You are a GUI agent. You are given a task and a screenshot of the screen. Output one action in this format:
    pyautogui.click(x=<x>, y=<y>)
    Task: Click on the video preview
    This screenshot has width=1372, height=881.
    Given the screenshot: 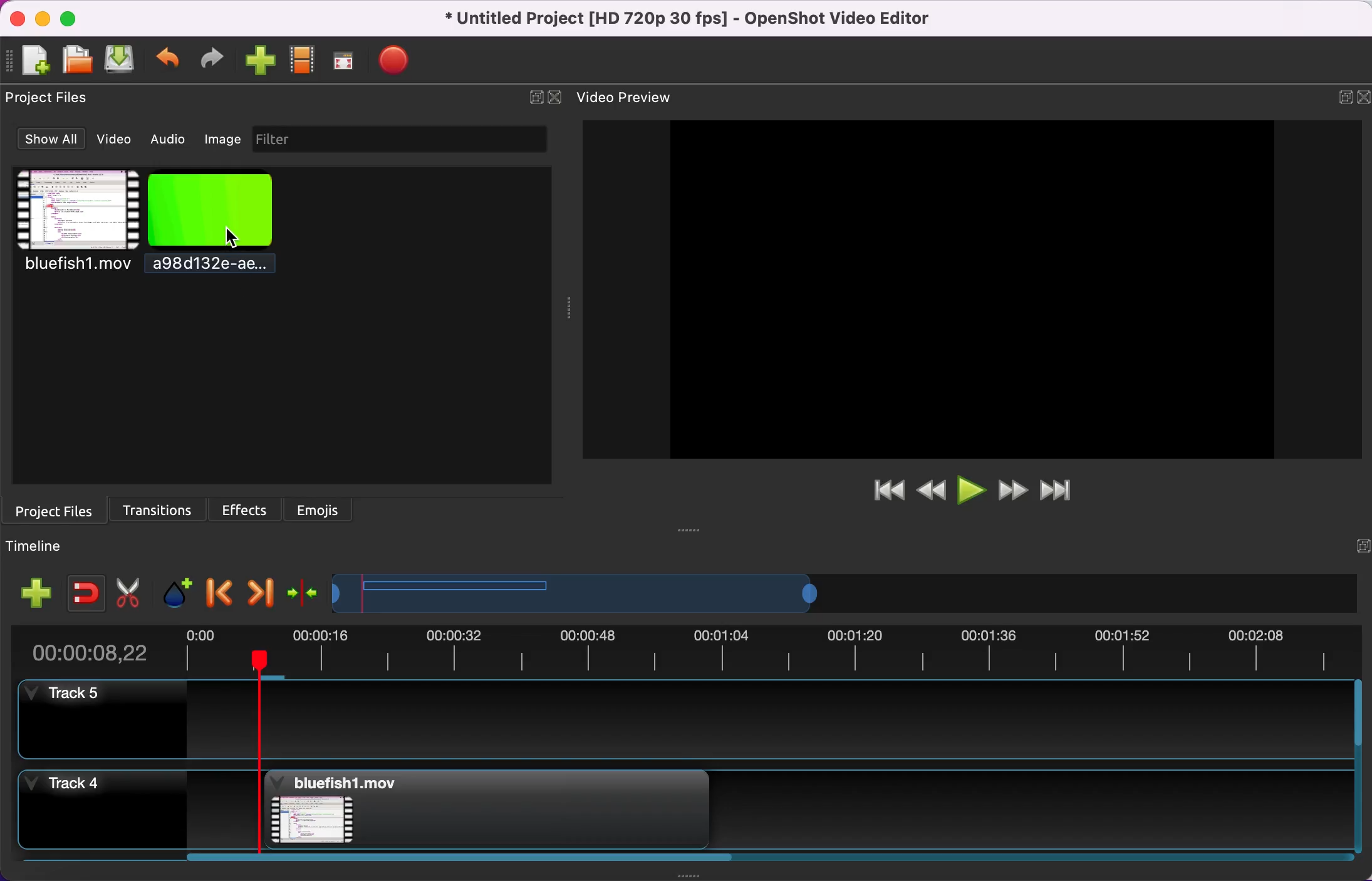 What is the action you would take?
    pyautogui.click(x=637, y=98)
    